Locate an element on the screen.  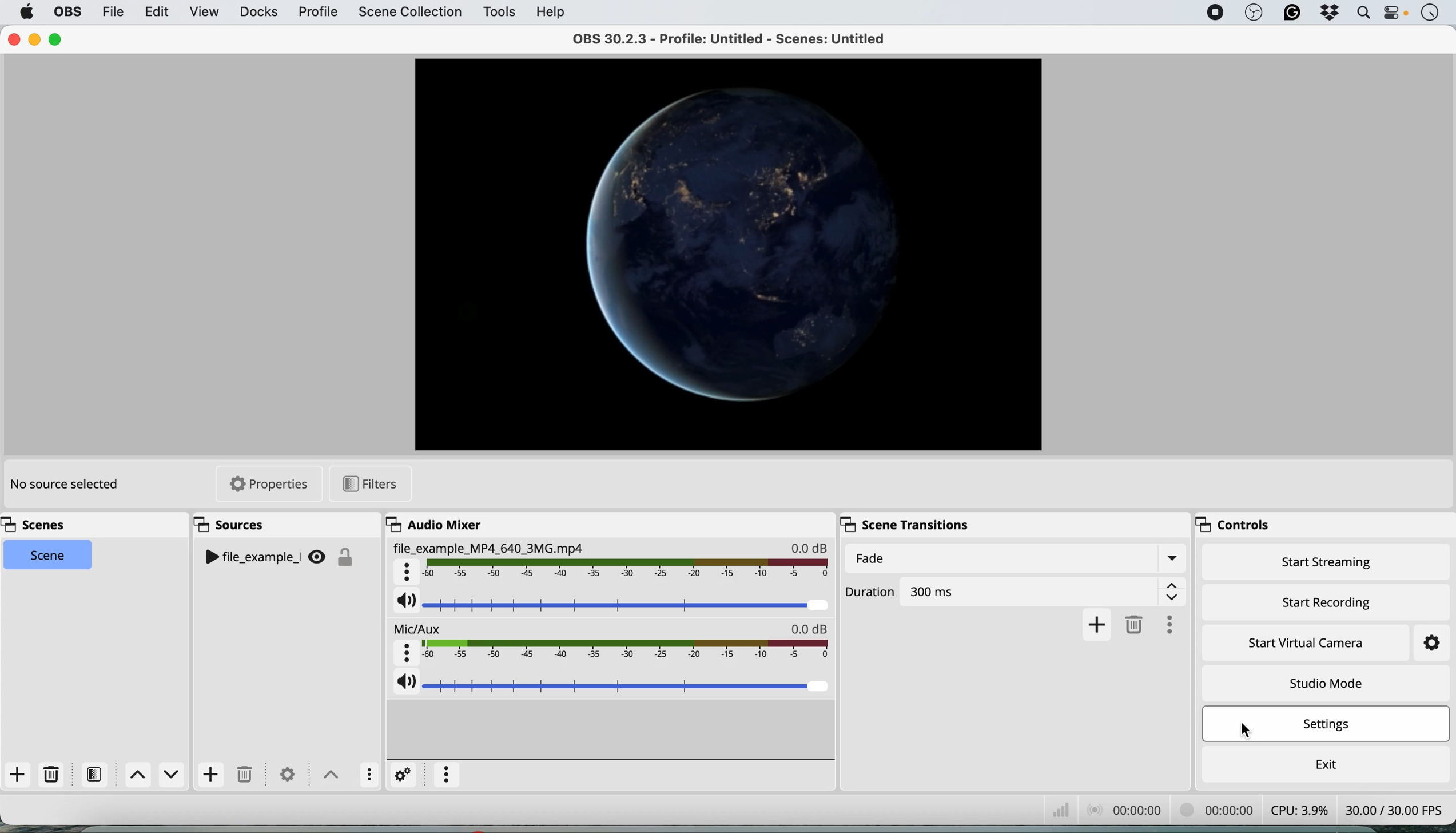
network is located at coordinates (1059, 807).